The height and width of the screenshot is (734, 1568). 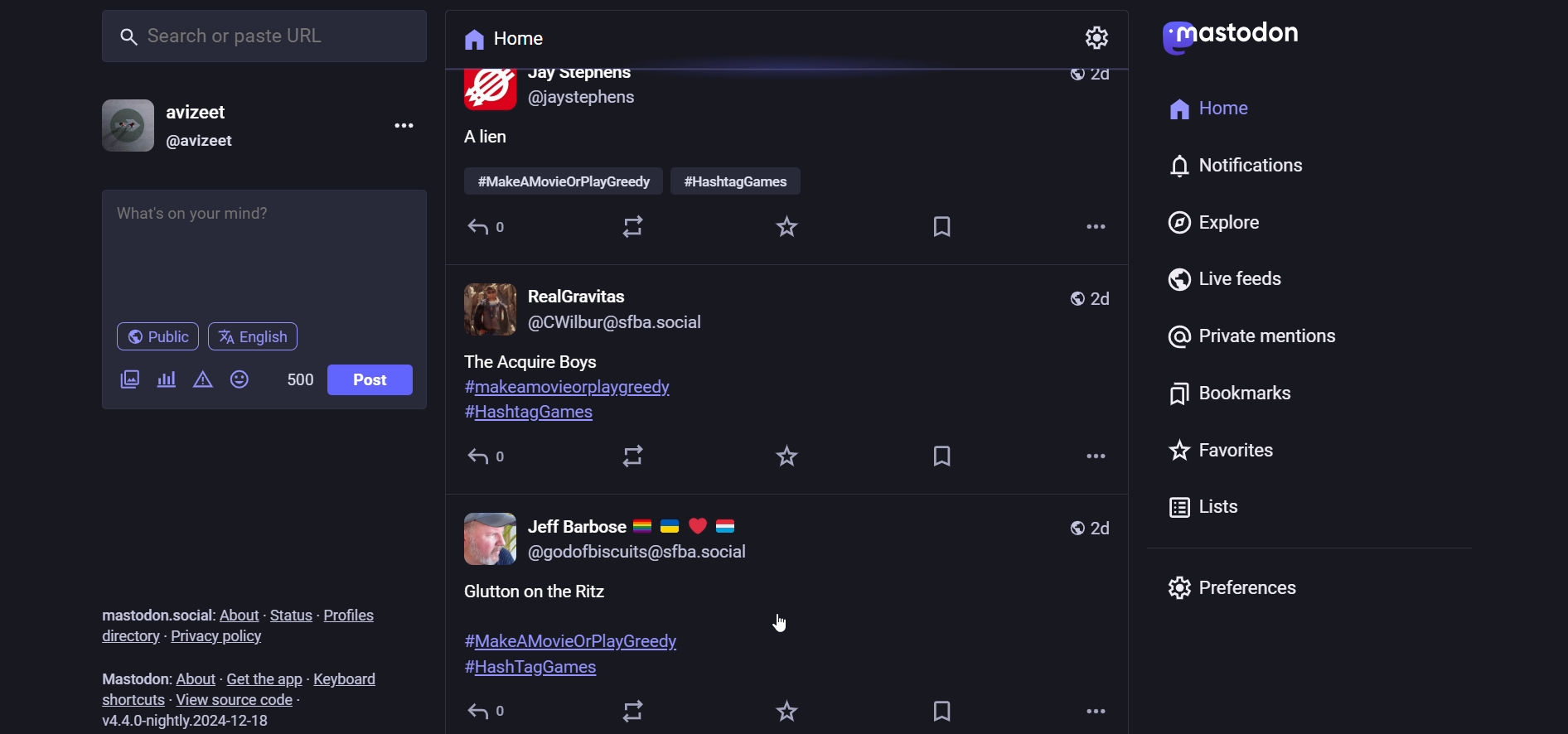 I want to click on day, so click(x=1088, y=298).